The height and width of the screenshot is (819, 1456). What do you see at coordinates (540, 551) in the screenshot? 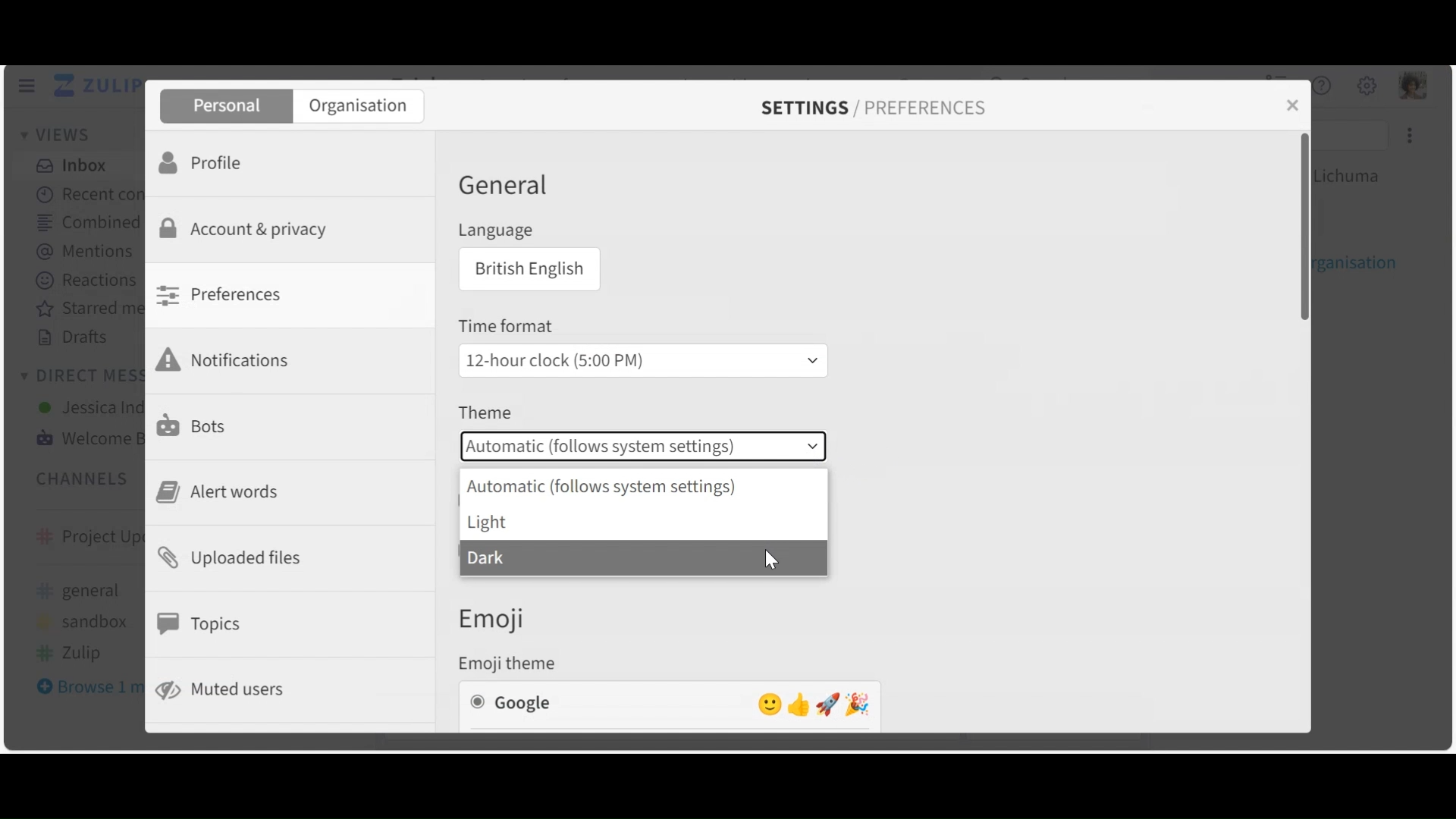
I see `(un)select Compact mode` at bounding box center [540, 551].